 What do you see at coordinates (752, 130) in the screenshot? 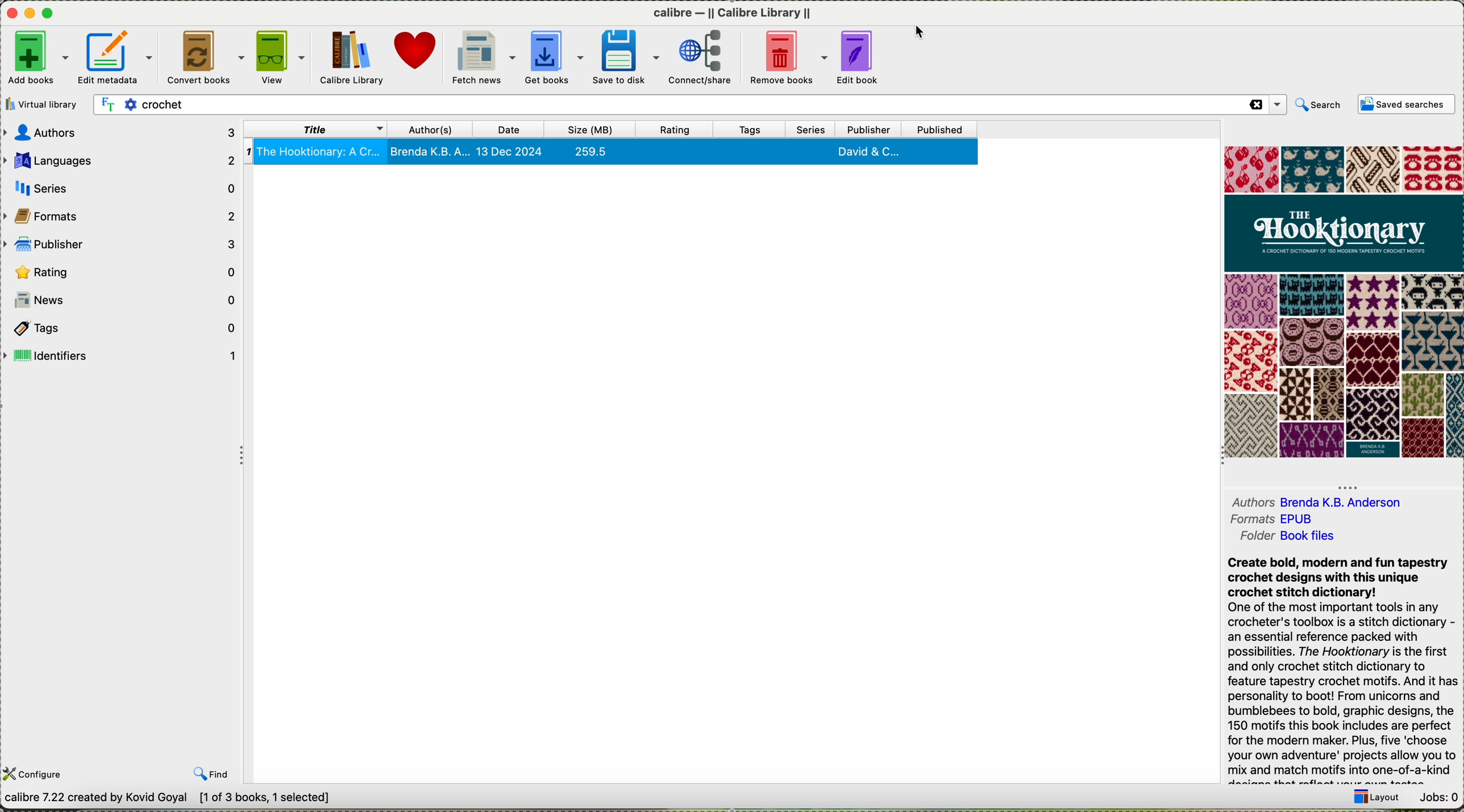
I see `tags` at bounding box center [752, 130].